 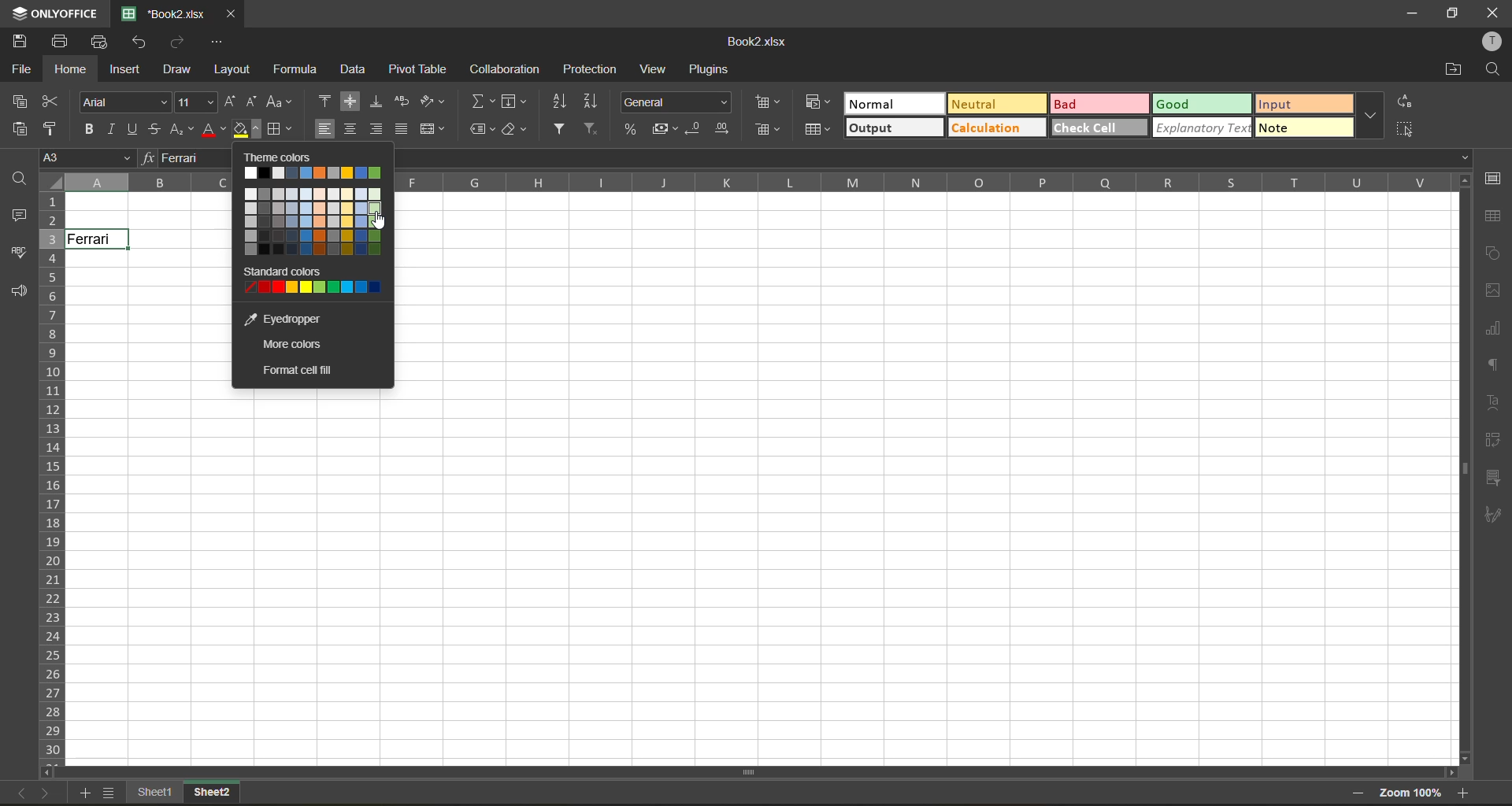 I want to click on named ranges, so click(x=480, y=131).